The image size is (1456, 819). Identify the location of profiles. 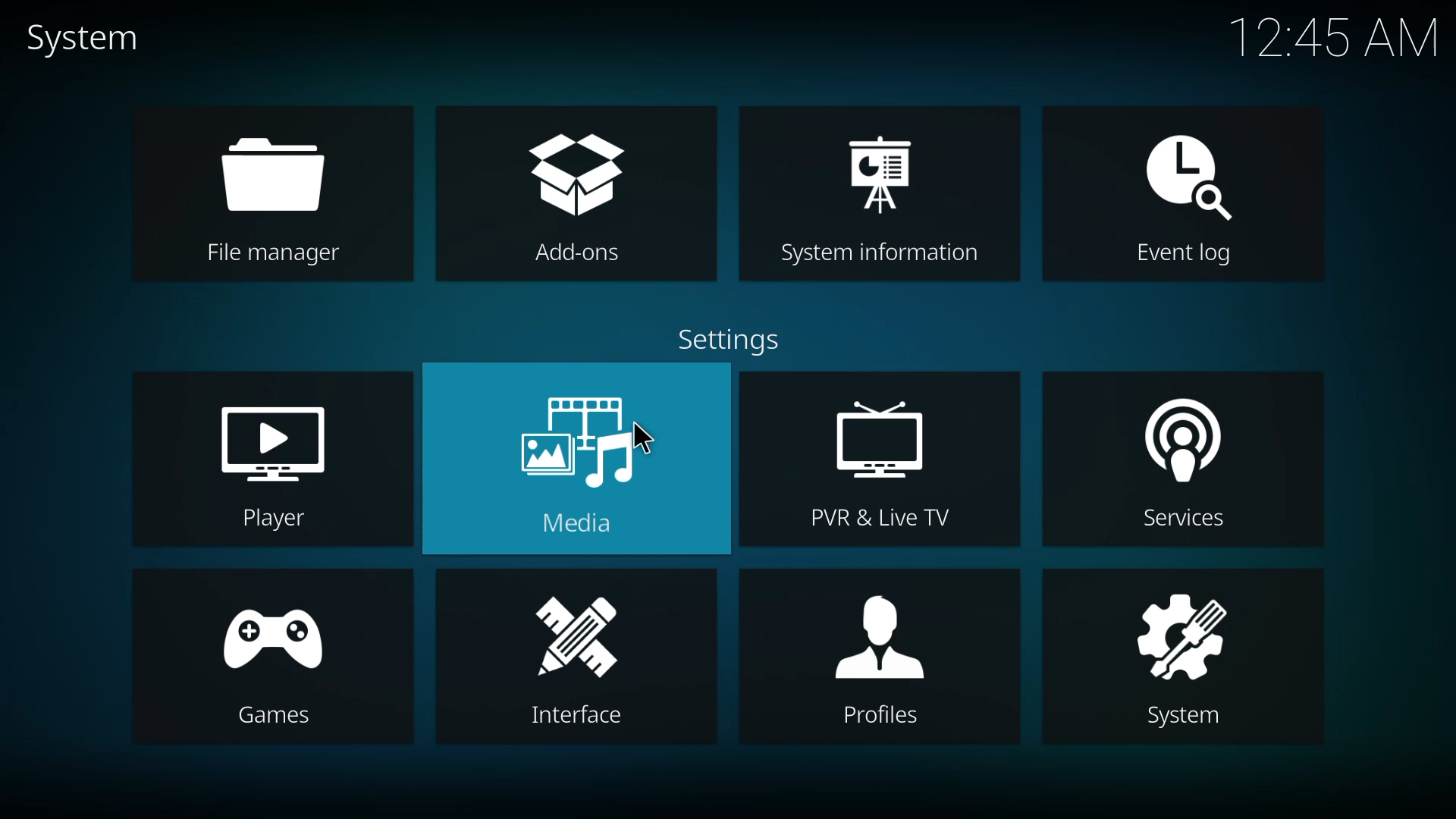
(877, 658).